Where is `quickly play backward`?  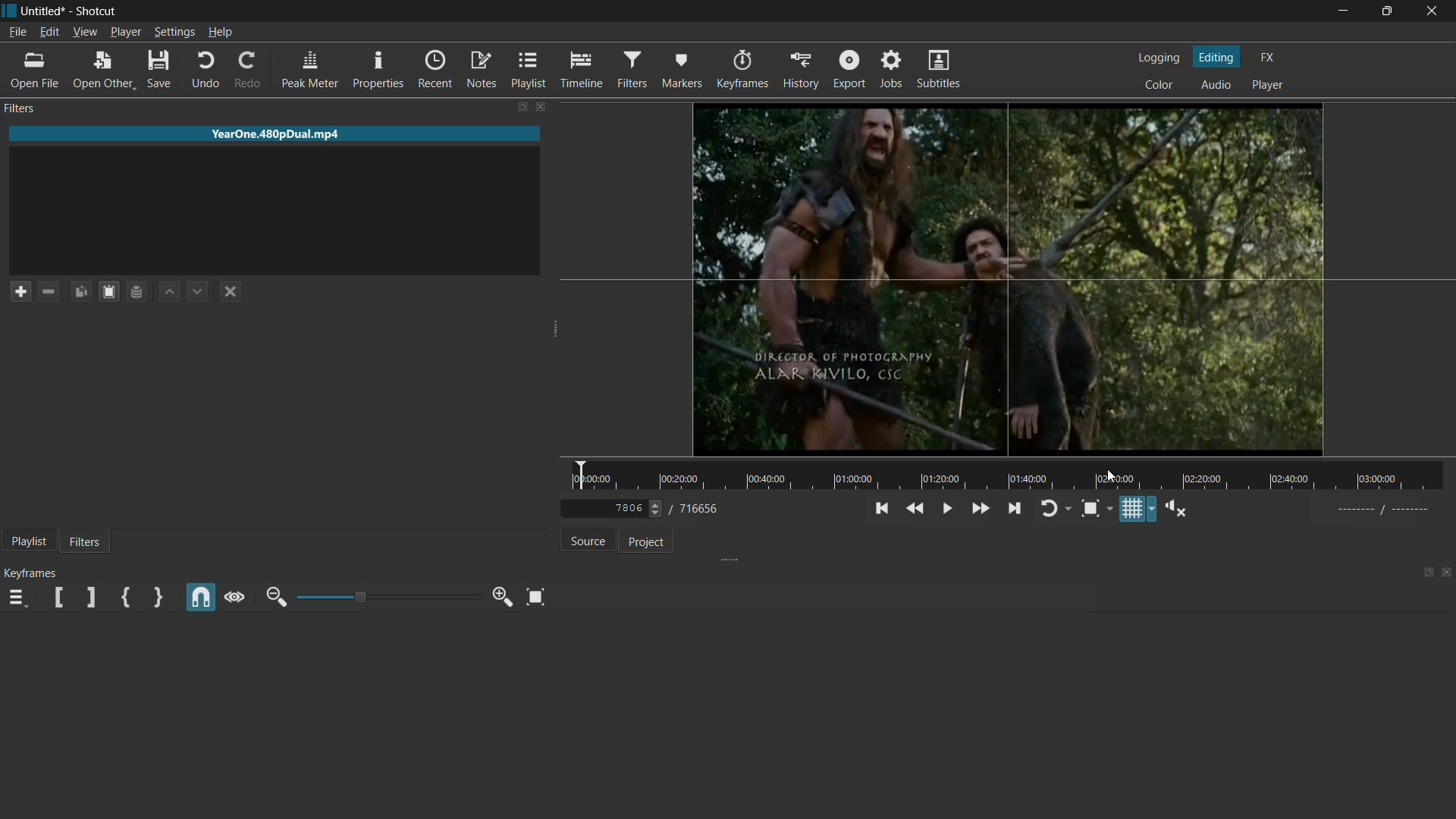 quickly play backward is located at coordinates (913, 507).